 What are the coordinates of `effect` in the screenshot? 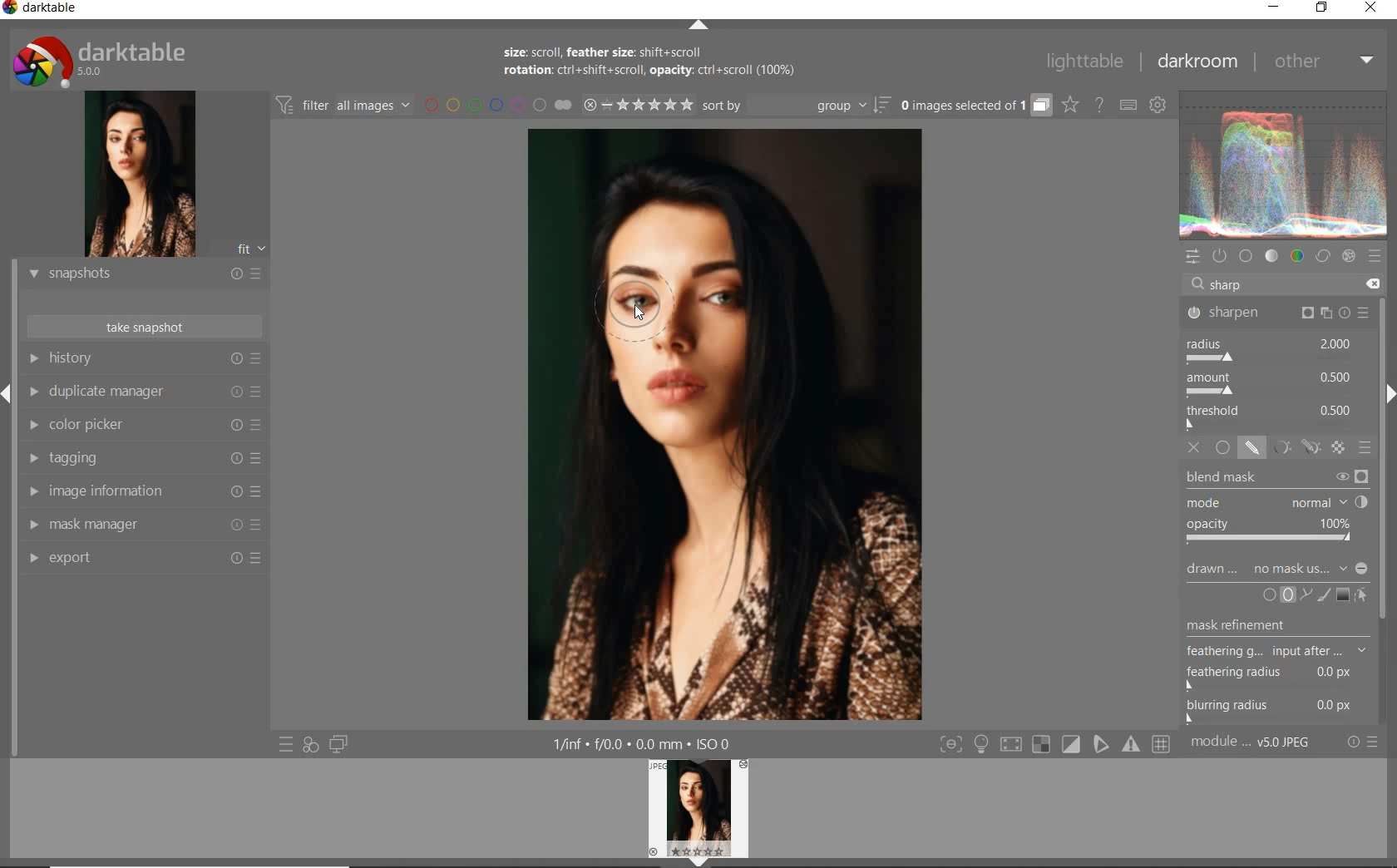 It's located at (1349, 258).